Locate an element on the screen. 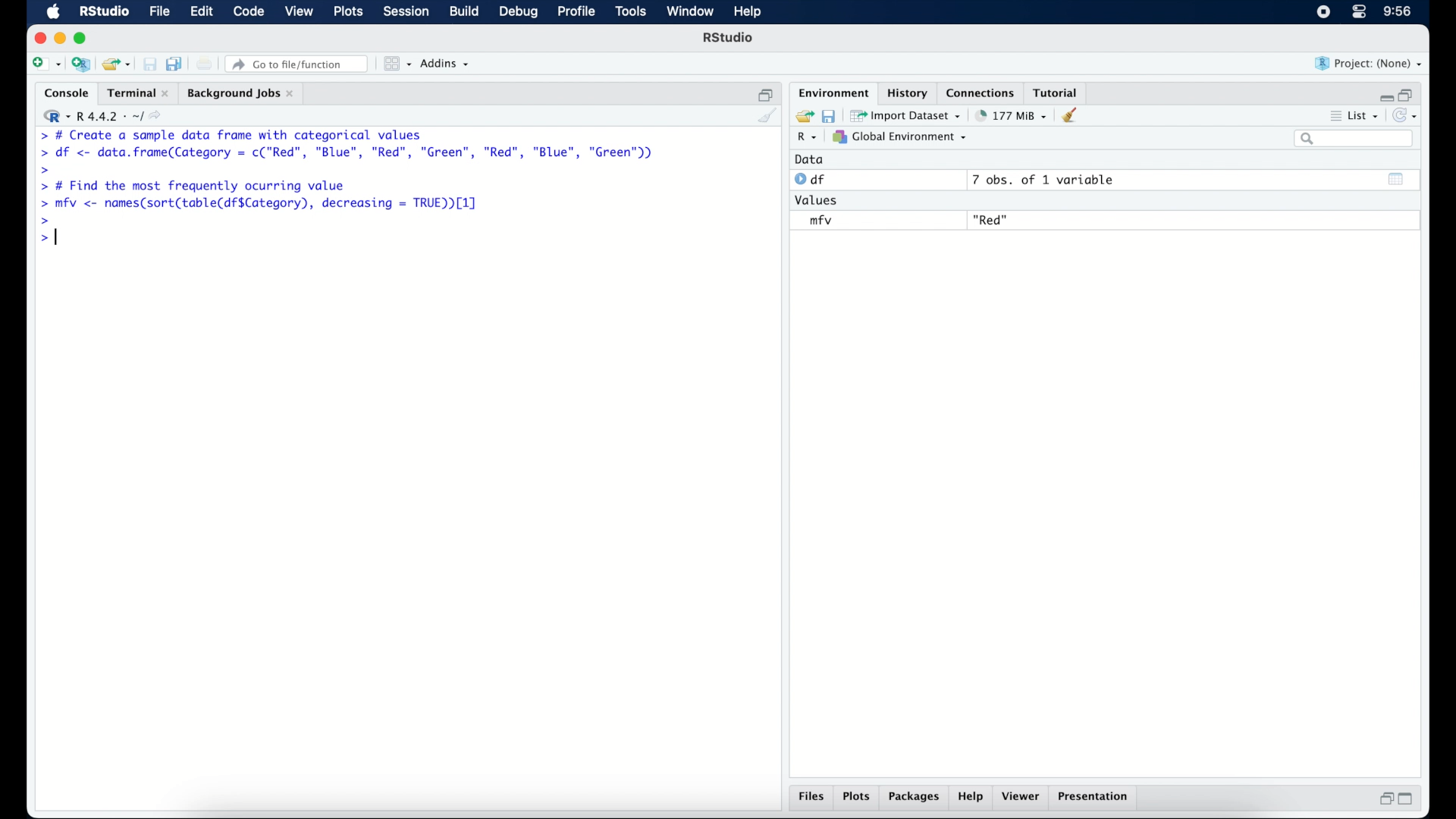  values is located at coordinates (820, 201).